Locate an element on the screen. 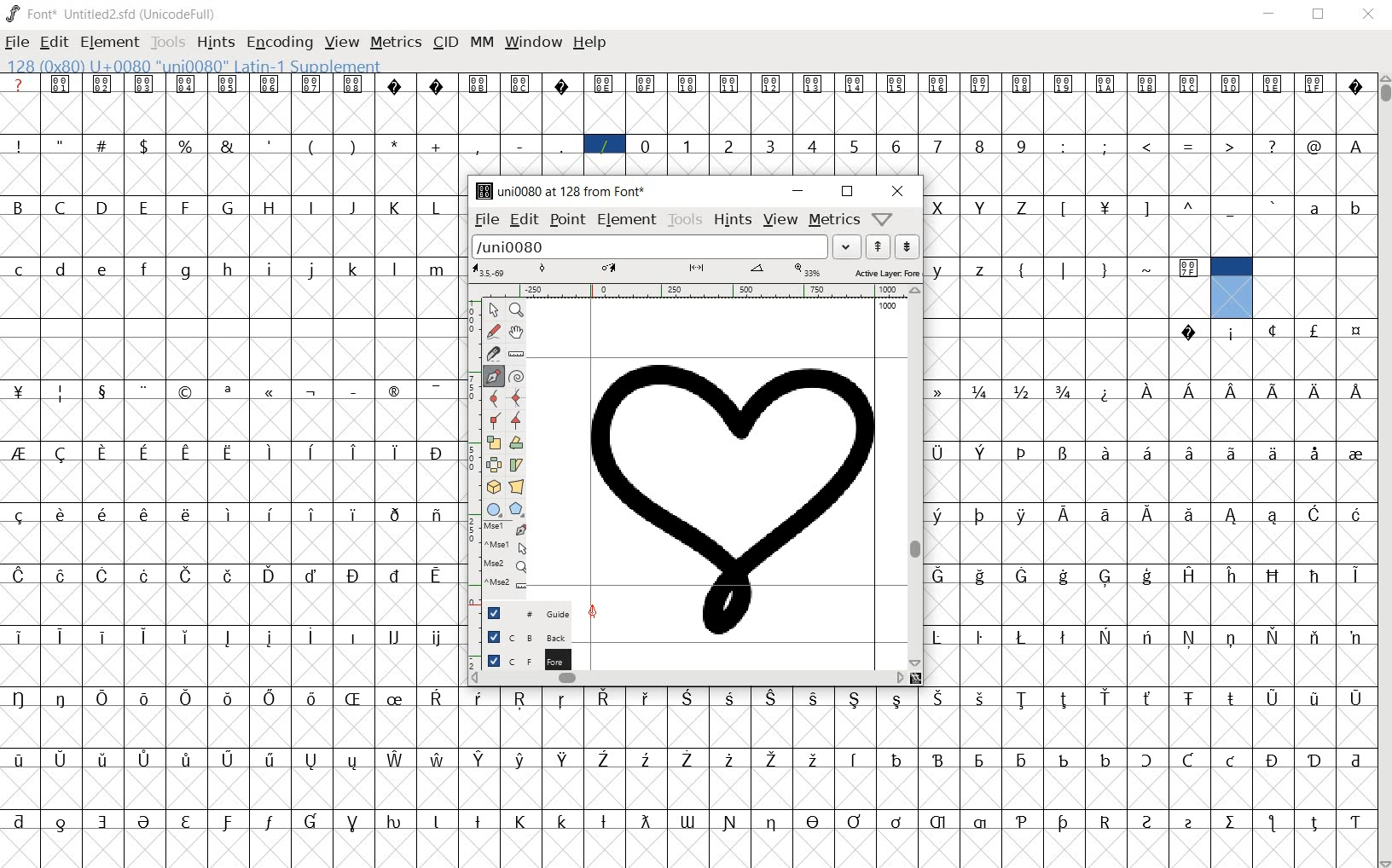 Image resolution: width=1392 pixels, height=868 pixels. glyph is located at coordinates (395, 208).